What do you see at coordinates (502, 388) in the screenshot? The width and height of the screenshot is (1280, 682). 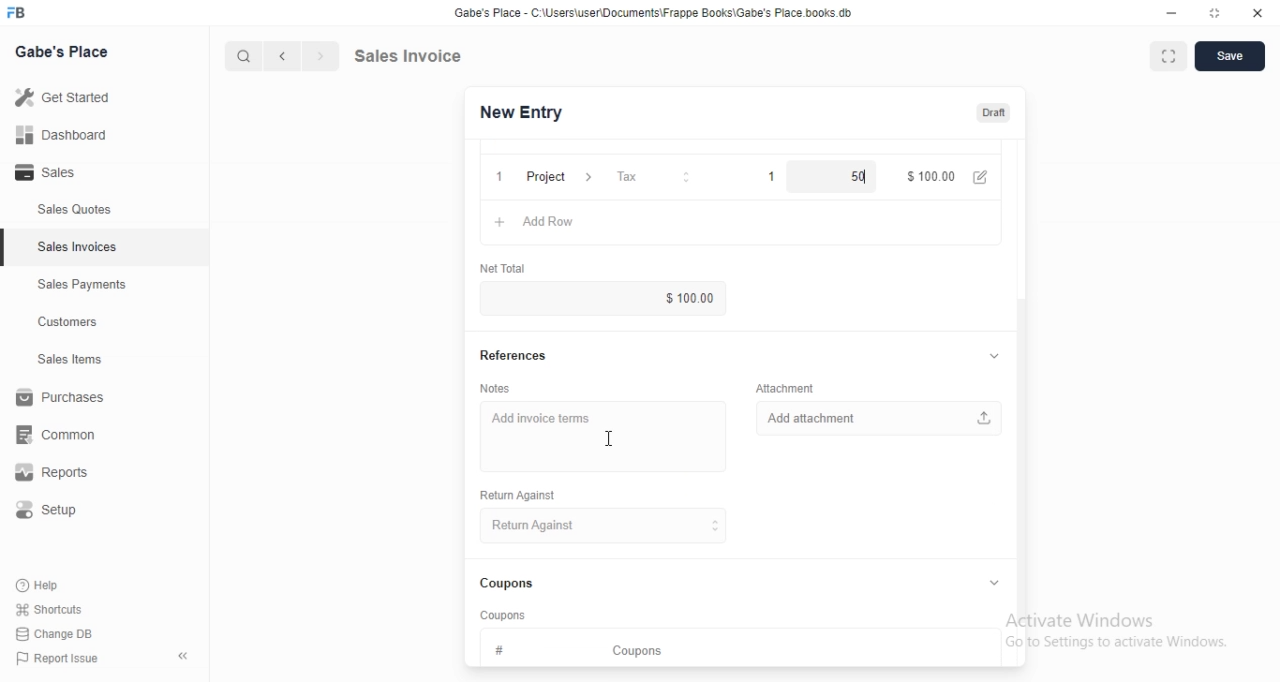 I see `Notes` at bounding box center [502, 388].